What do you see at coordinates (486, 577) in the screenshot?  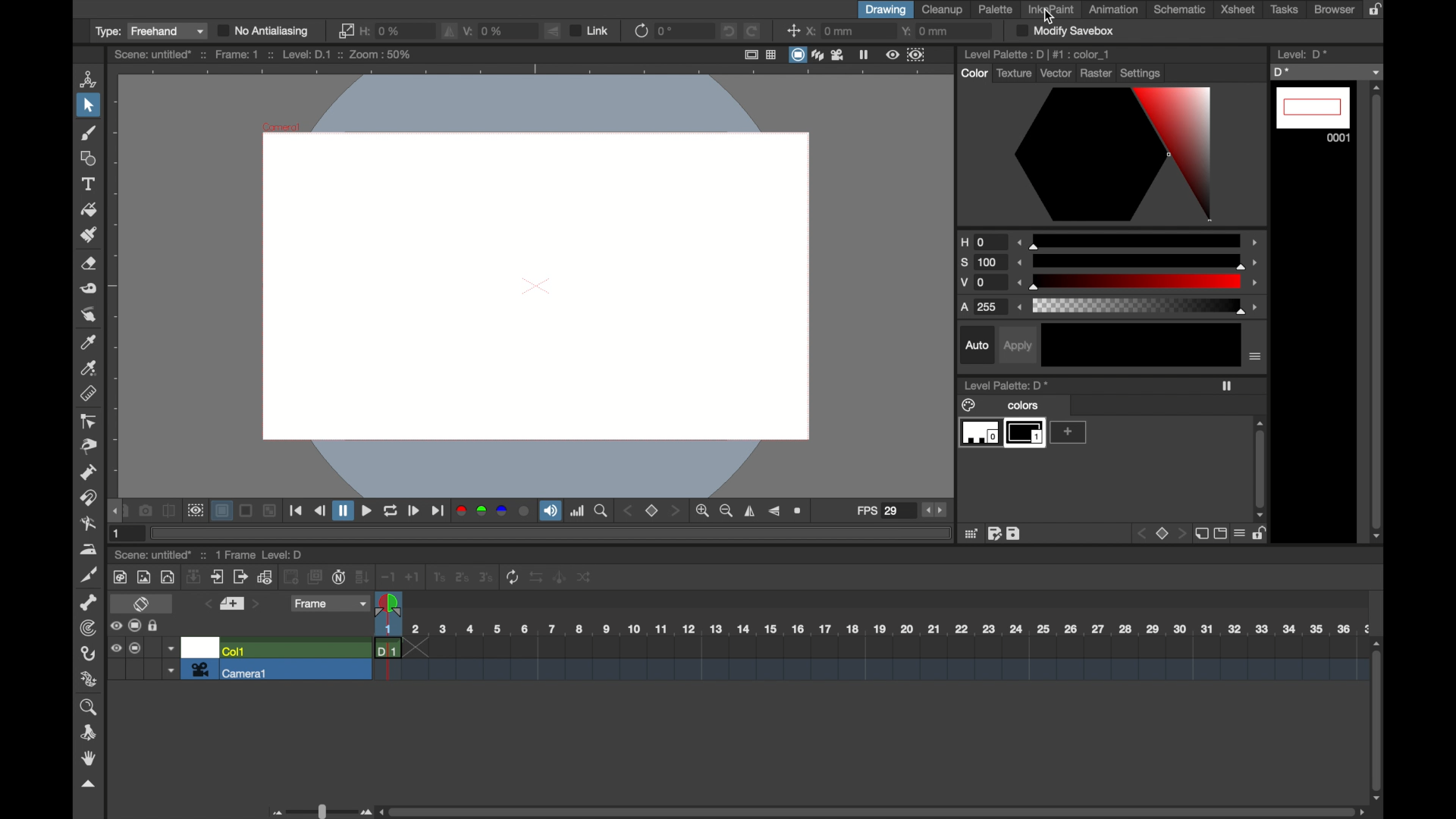 I see `3` at bounding box center [486, 577].